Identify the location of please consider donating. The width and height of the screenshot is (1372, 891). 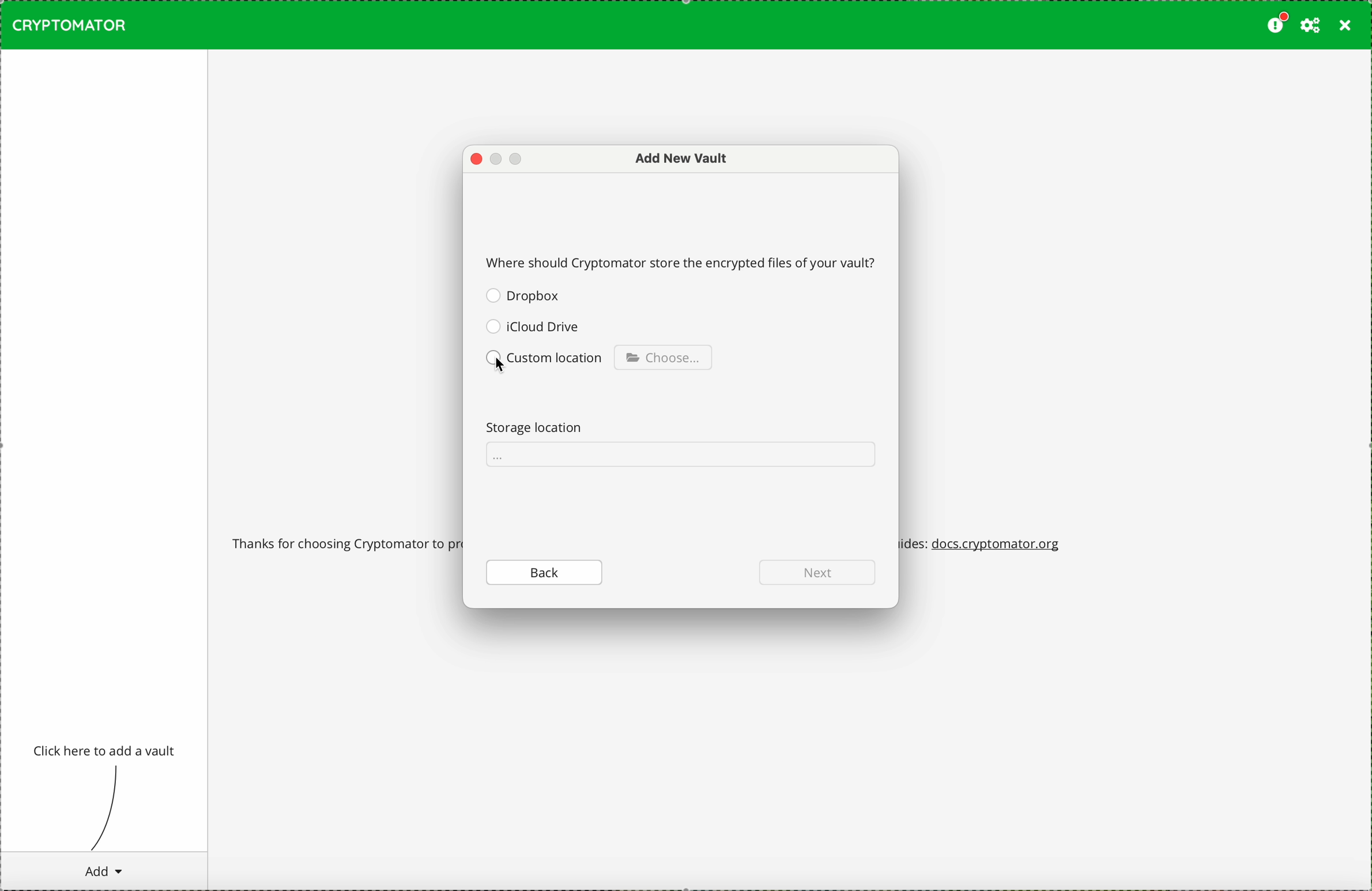
(1276, 24).